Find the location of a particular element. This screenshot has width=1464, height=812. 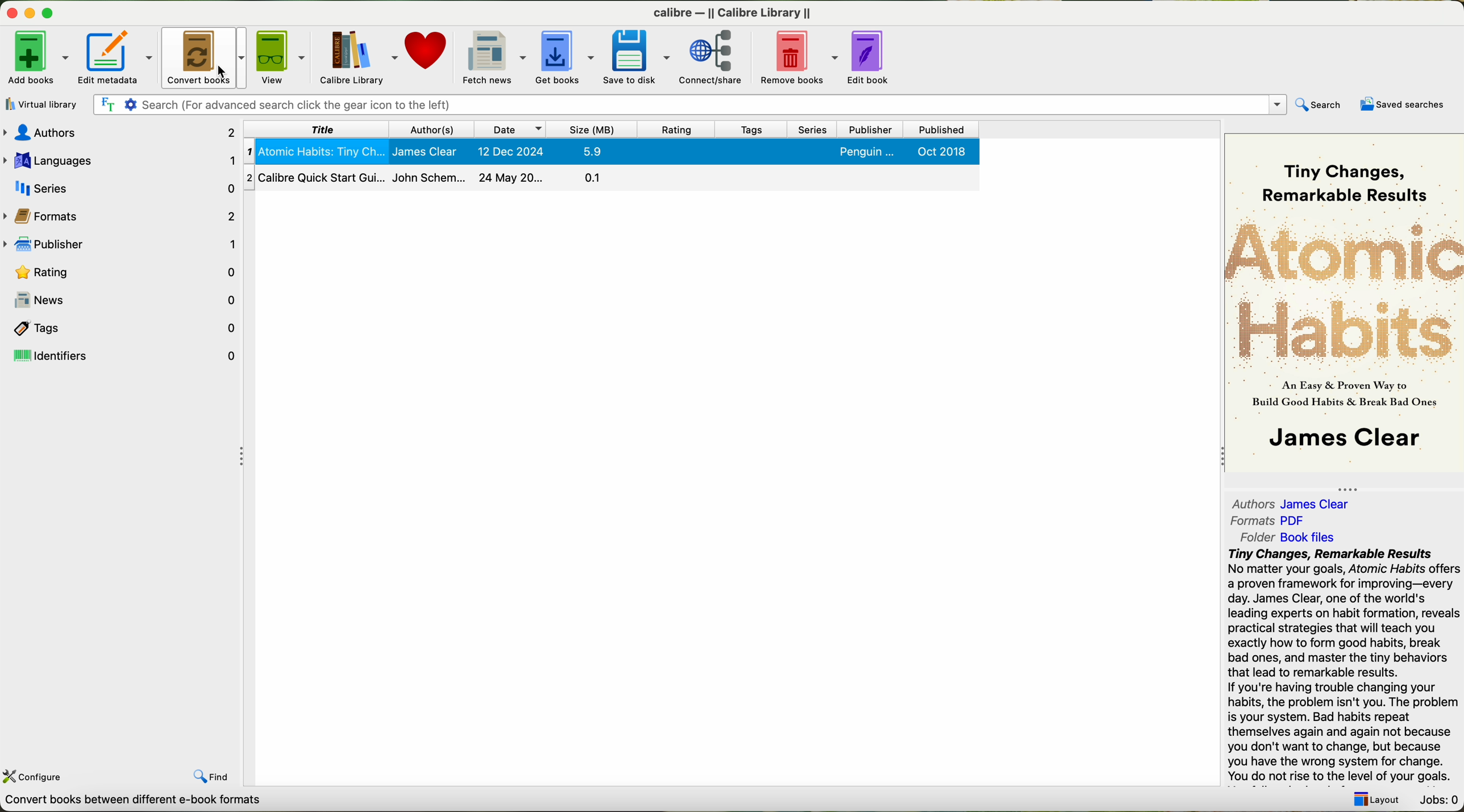

add books is located at coordinates (38, 57).